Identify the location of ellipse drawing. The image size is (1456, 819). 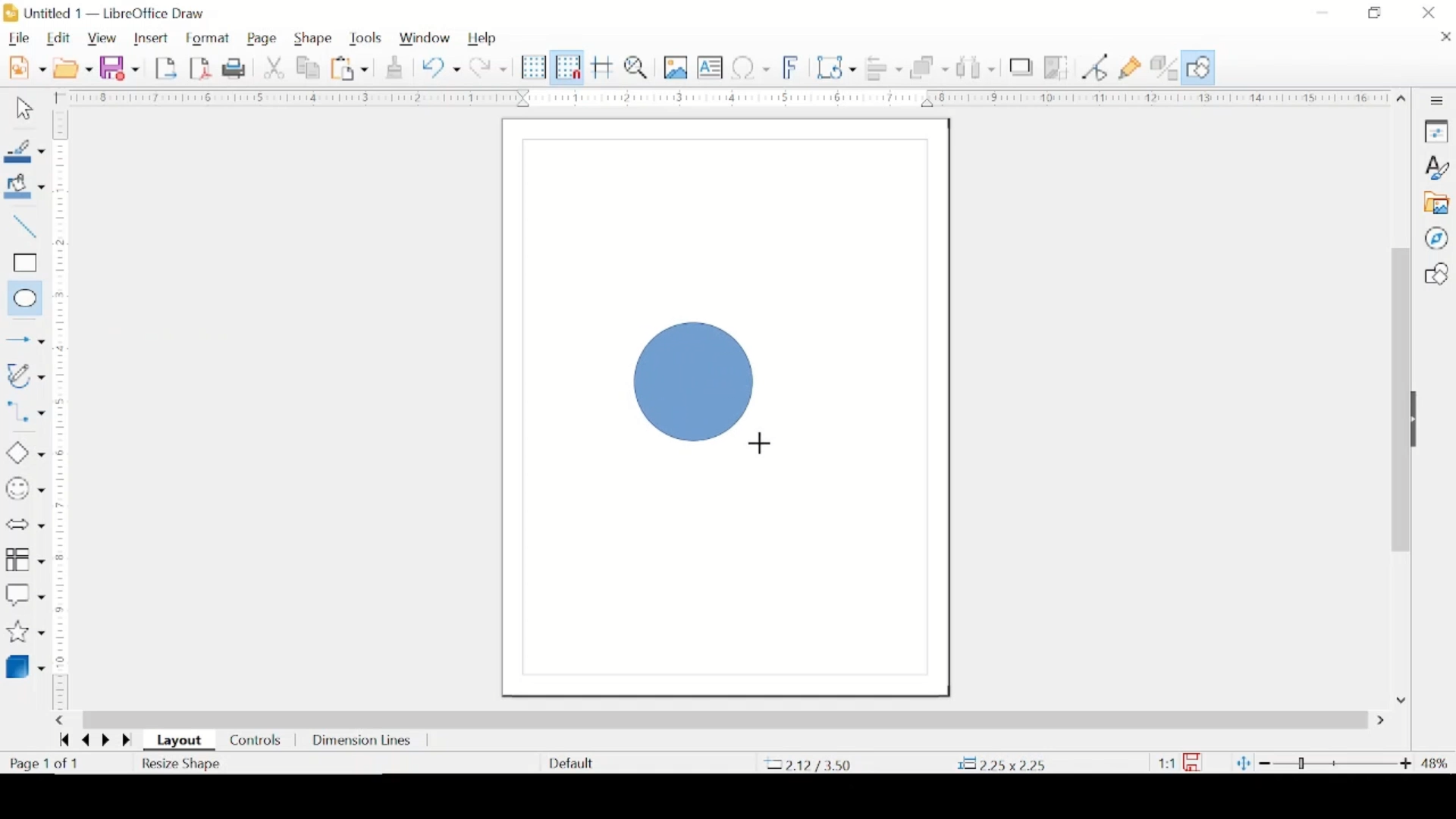
(684, 378).